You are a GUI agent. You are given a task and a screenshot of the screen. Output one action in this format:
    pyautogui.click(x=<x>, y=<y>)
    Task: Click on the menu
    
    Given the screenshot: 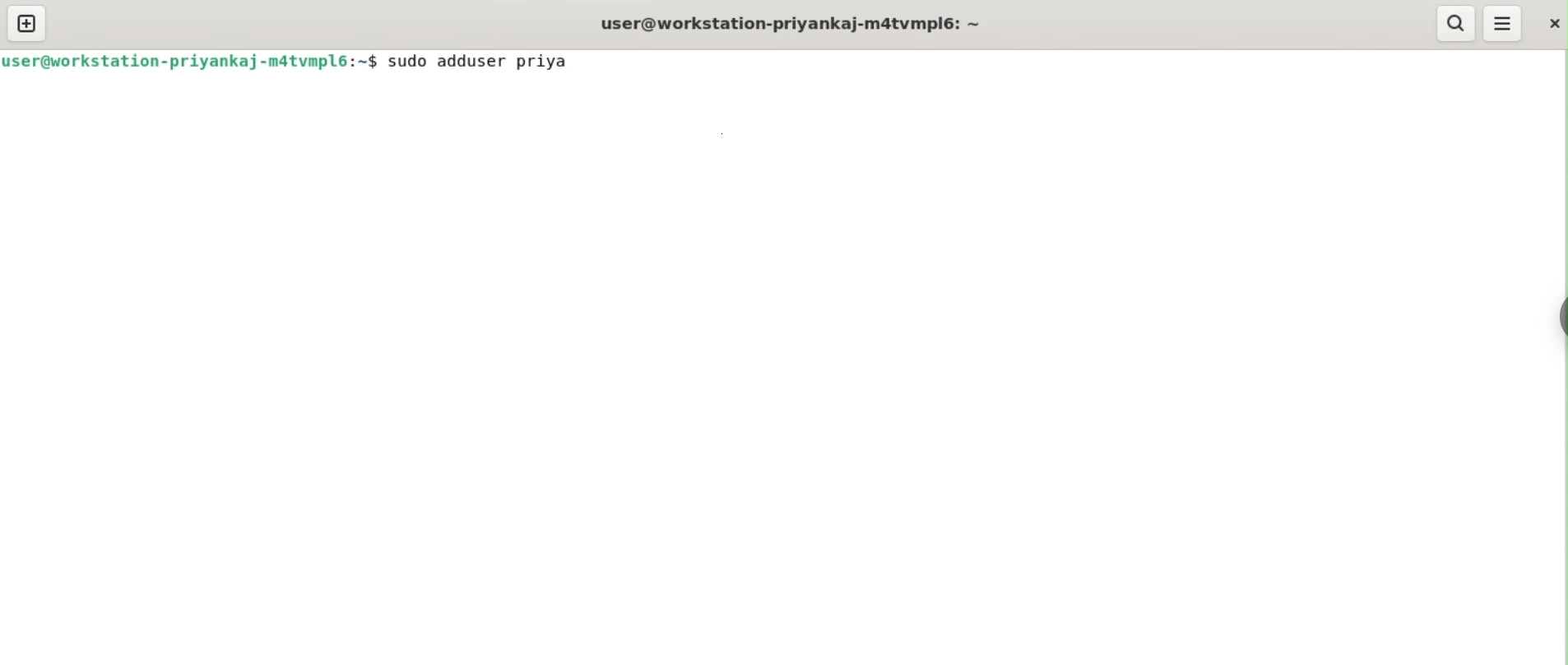 What is the action you would take?
    pyautogui.click(x=1504, y=24)
    